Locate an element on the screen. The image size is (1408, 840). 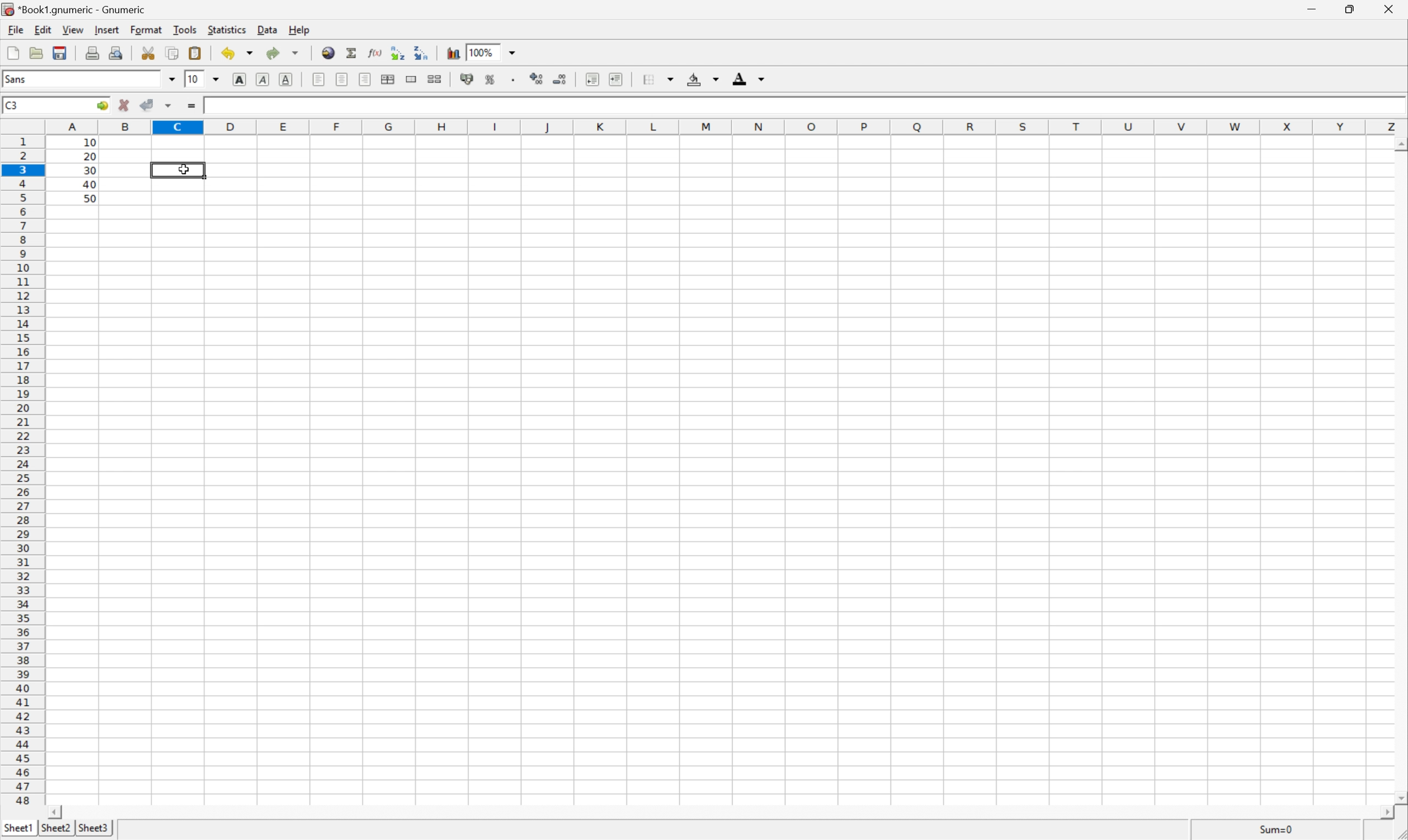
Save the current workbook is located at coordinates (60, 52).